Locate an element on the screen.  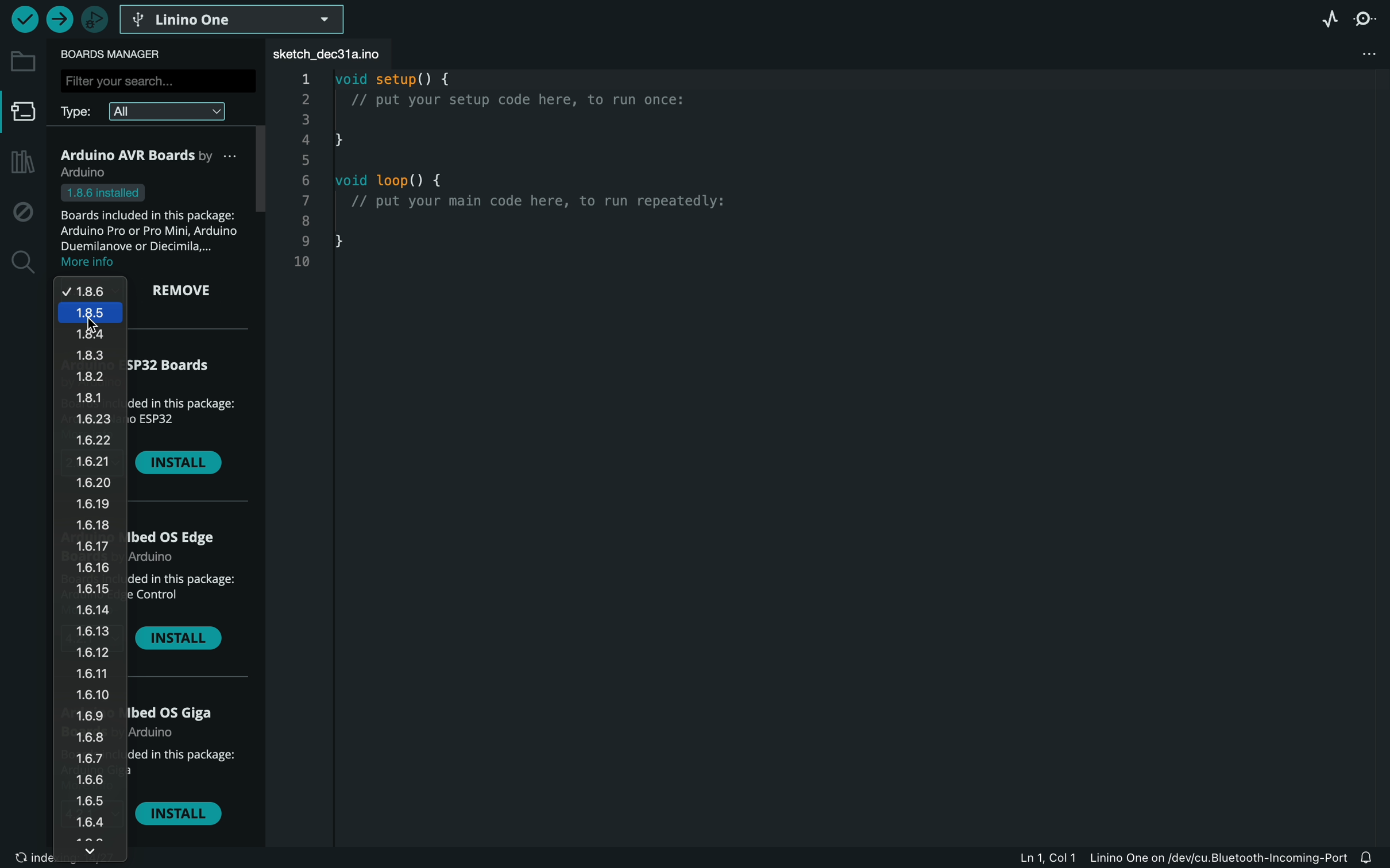
description is located at coordinates (153, 227).